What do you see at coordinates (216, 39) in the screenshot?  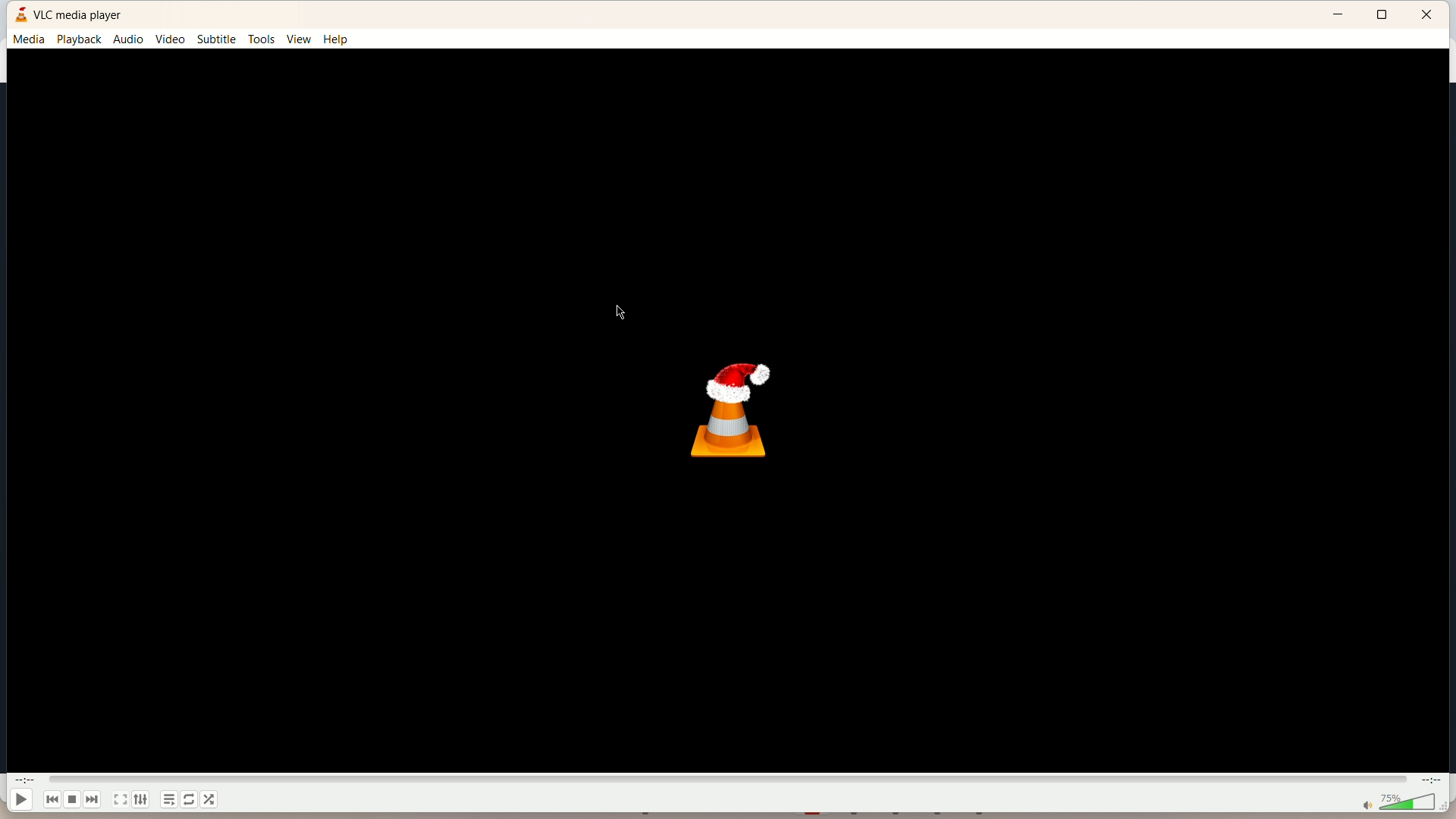 I see `subtitle` at bounding box center [216, 39].